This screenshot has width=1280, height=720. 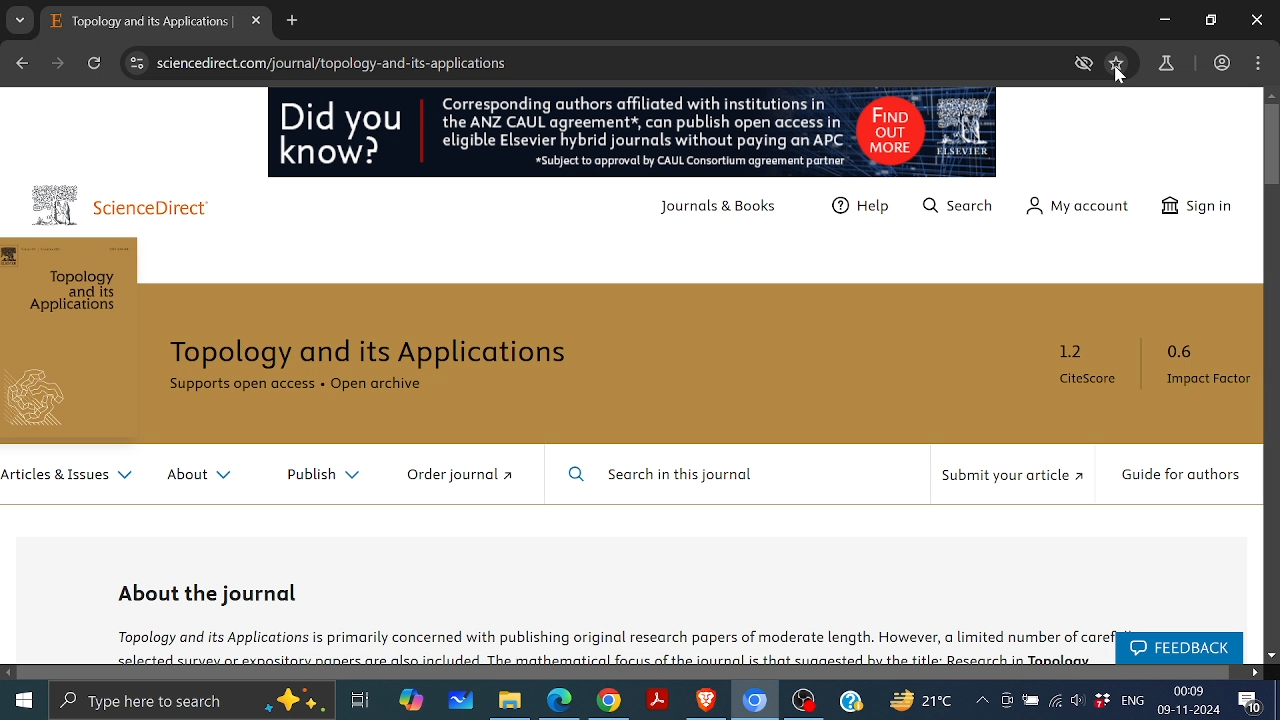 What do you see at coordinates (393, 388) in the screenshot?
I see `open archive` at bounding box center [393, 388].